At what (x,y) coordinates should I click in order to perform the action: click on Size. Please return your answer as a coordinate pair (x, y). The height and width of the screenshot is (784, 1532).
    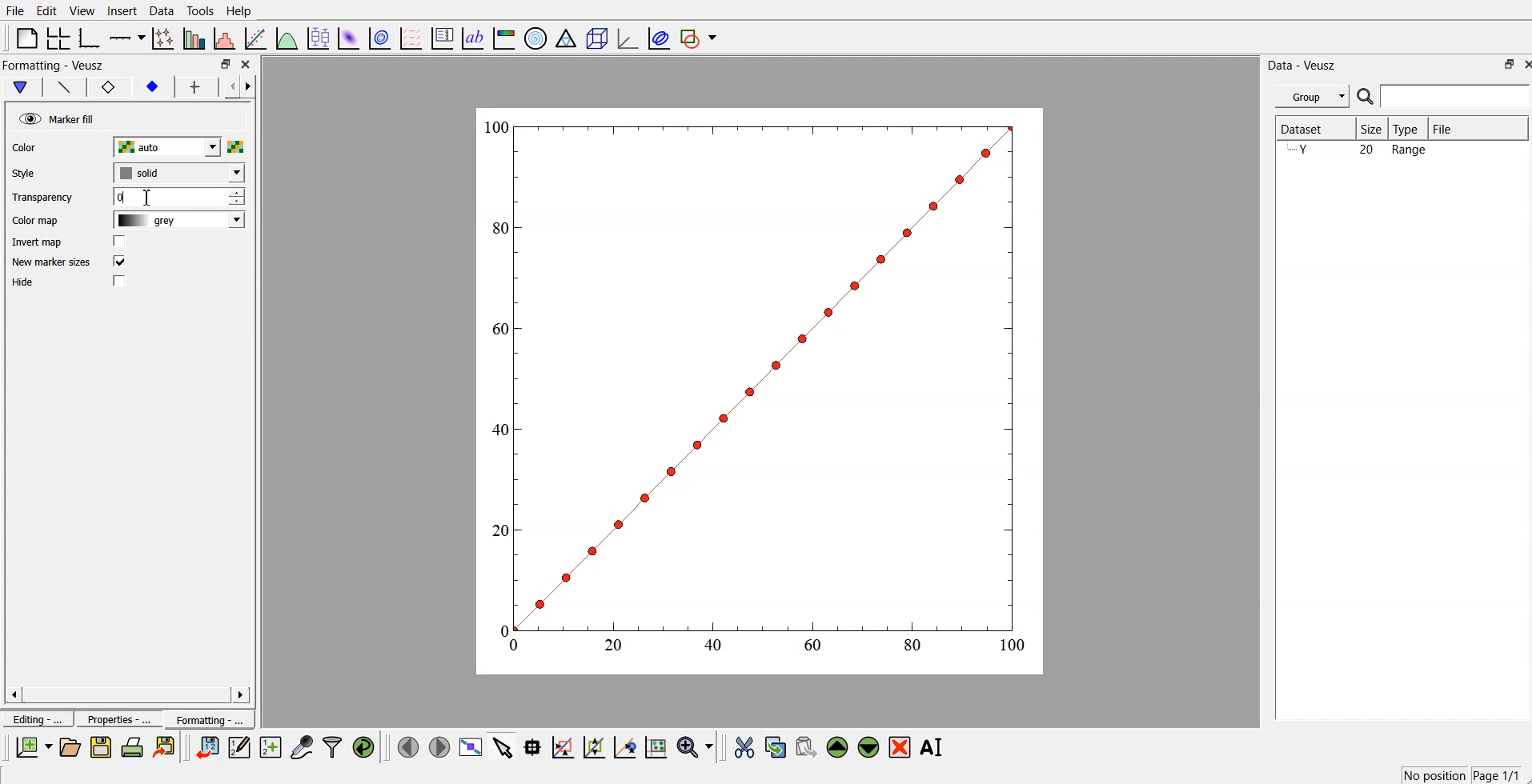
    Looking at the image, I should click on (1373, 129).